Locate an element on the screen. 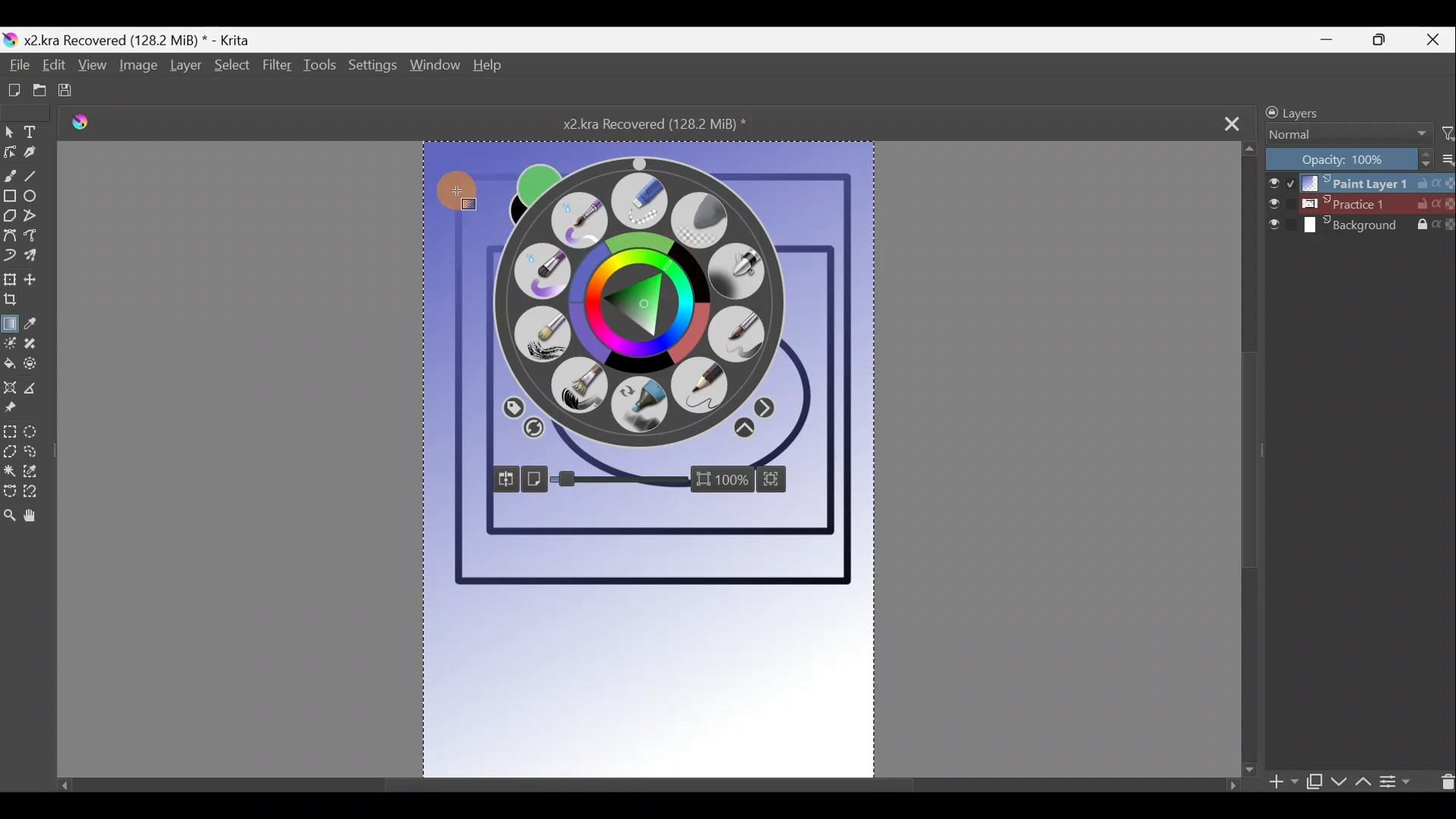 This screenshot has height=819, width=1456. Canvas is located at coordinates (648, 639).